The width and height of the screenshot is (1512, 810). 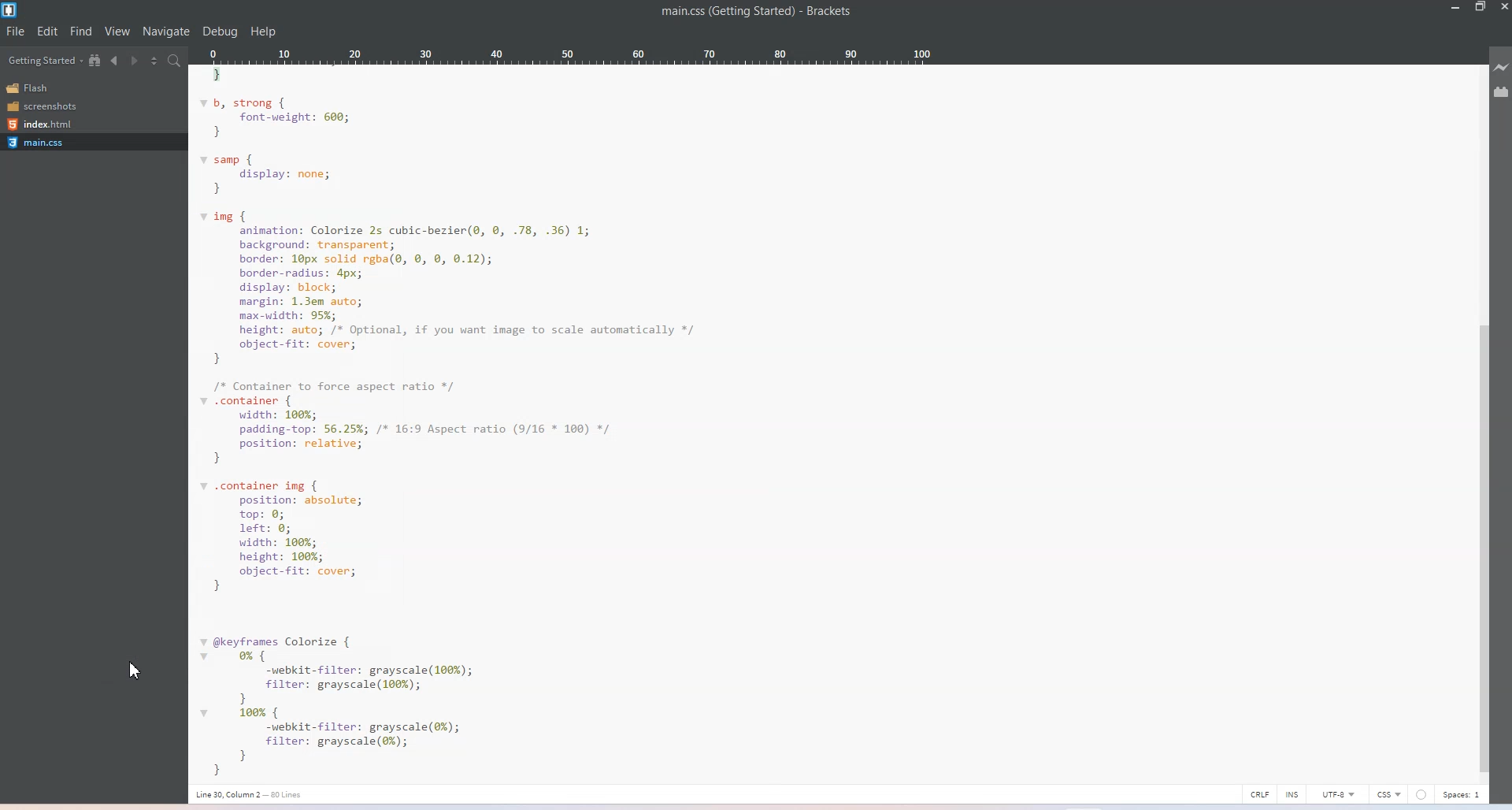 What do you see at coordinates (1258, 793) in the screenshot?
I see `CRLF` at bounding box center [1258, 793].